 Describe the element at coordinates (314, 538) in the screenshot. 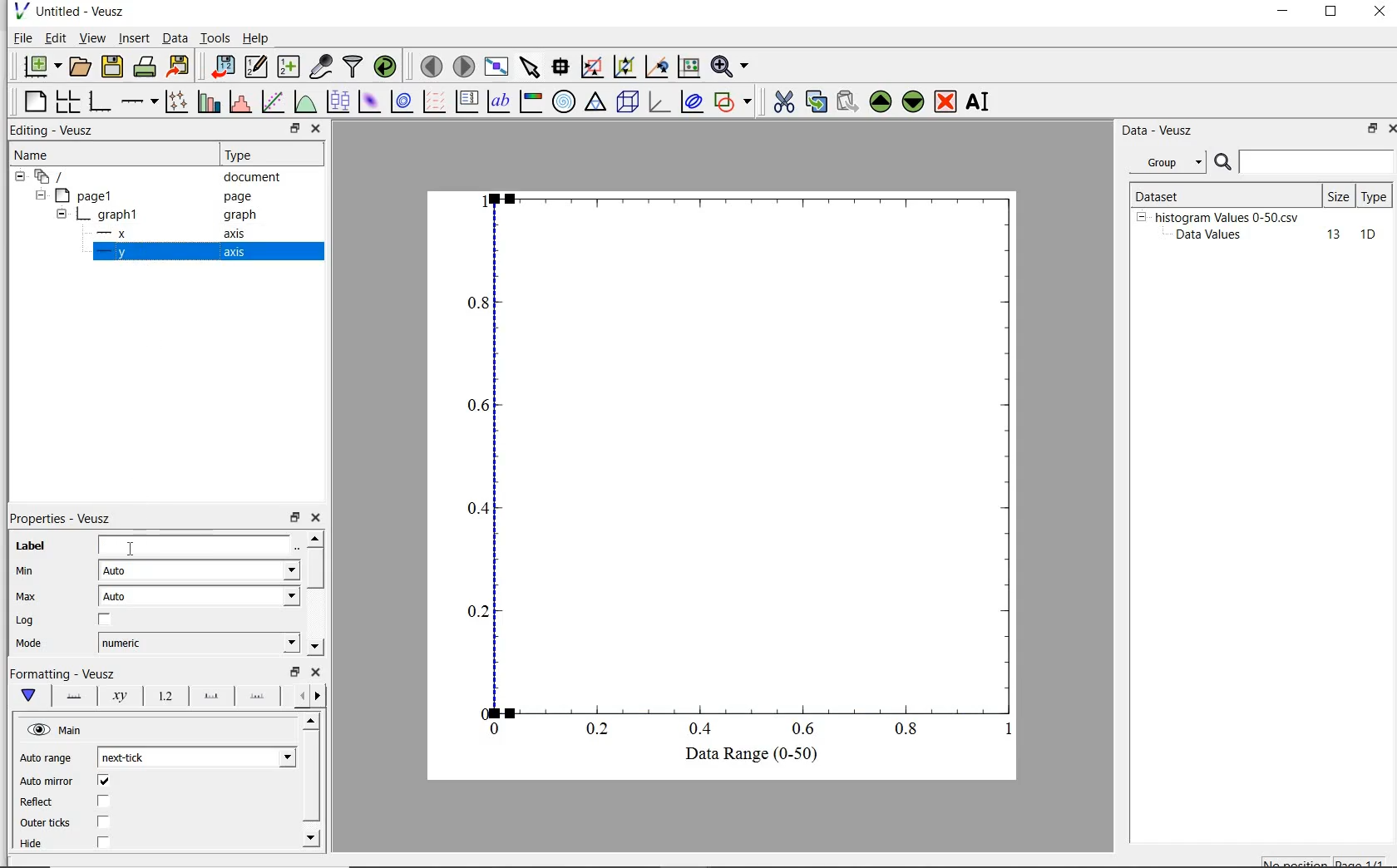

I see `move up` at that location.